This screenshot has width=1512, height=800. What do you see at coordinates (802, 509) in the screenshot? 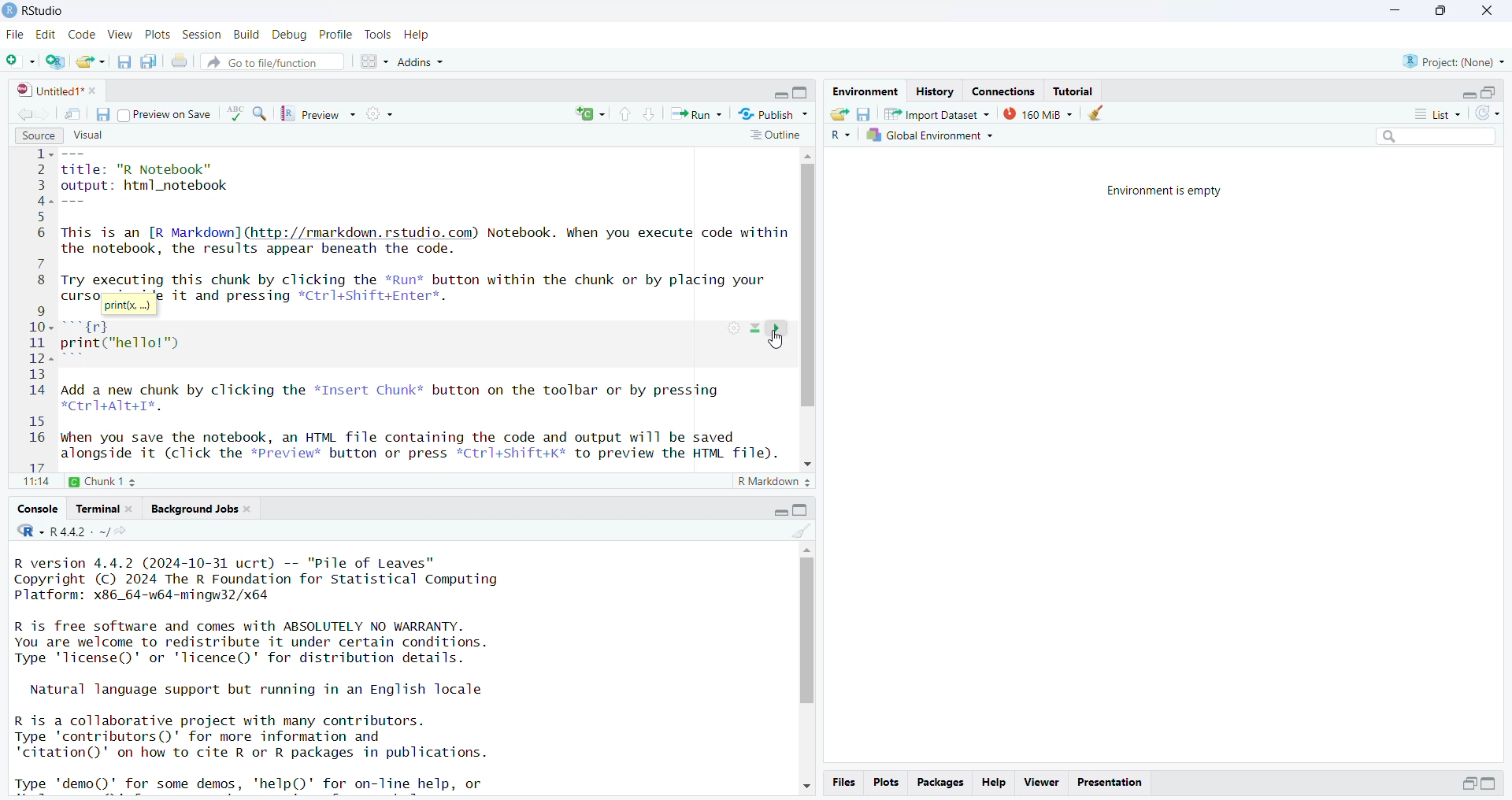
I see `collapse` at bounding box center [802, 509].